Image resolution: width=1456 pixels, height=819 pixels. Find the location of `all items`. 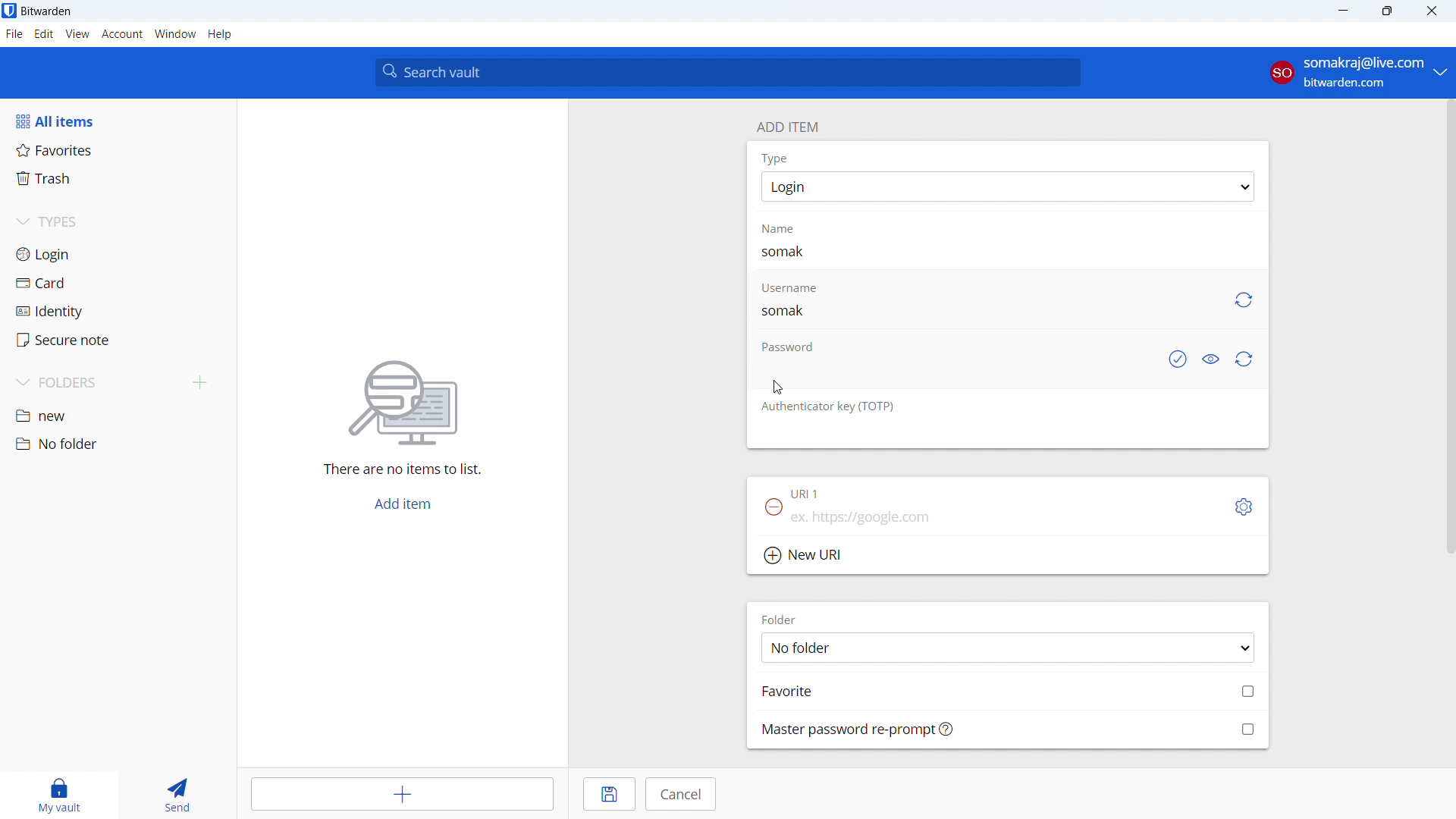

all items is located at coordinates (118, 121).